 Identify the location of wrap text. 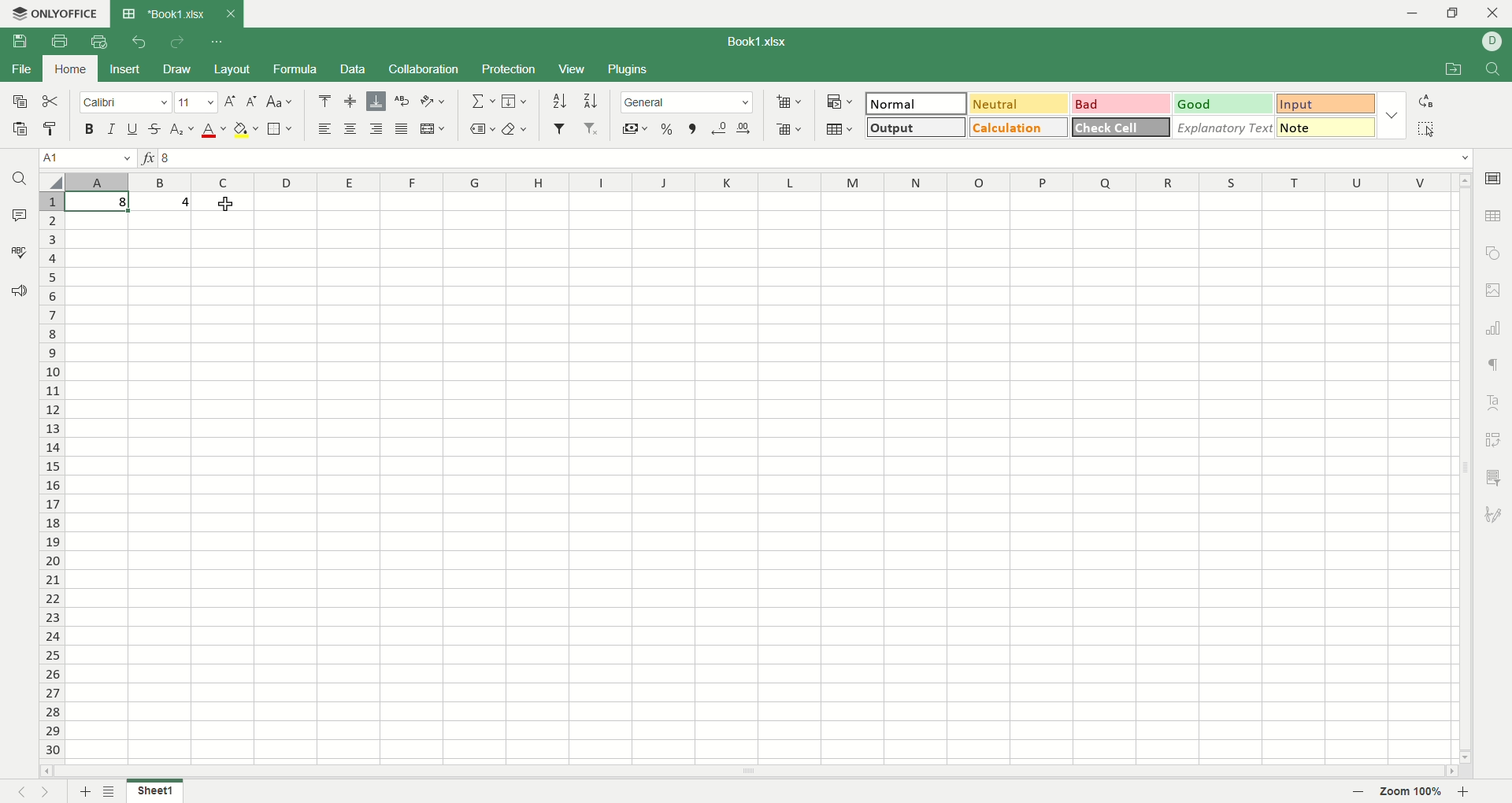
(403, 98).